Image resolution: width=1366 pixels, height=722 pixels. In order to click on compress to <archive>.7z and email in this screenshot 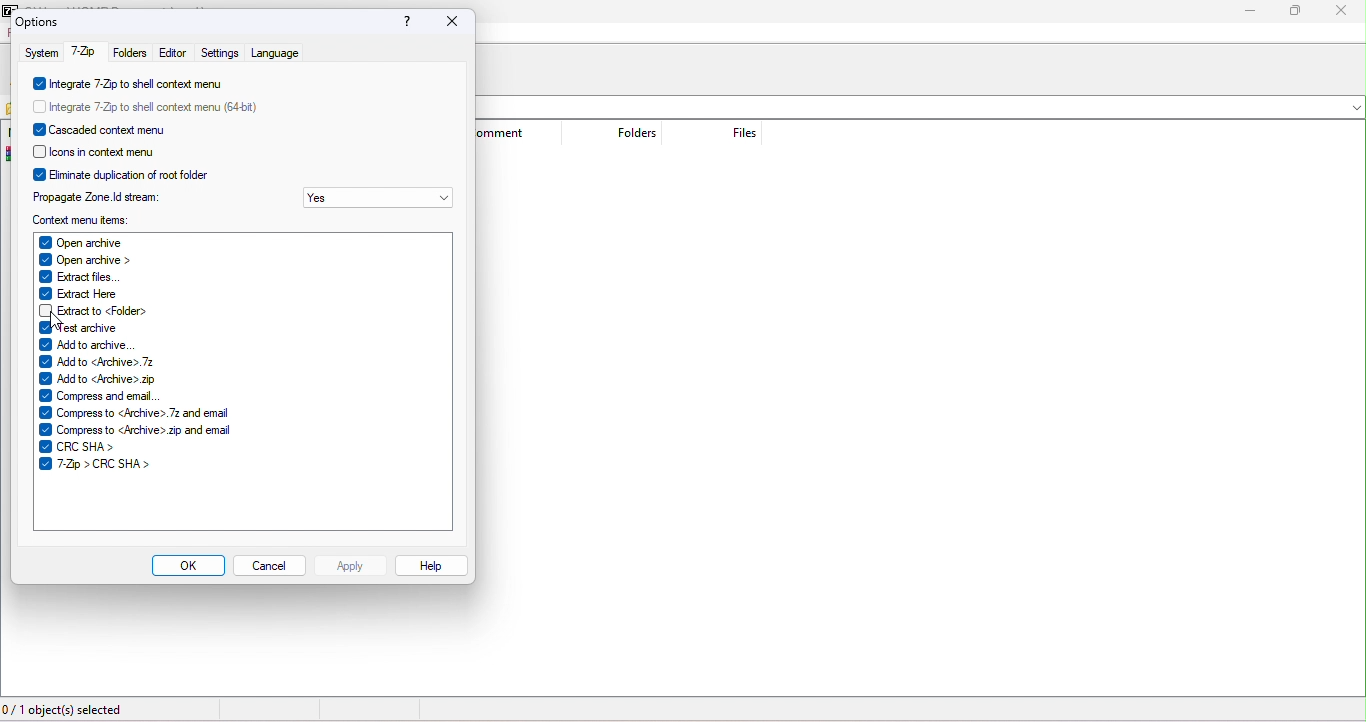, I will do `click(140, 413)`.